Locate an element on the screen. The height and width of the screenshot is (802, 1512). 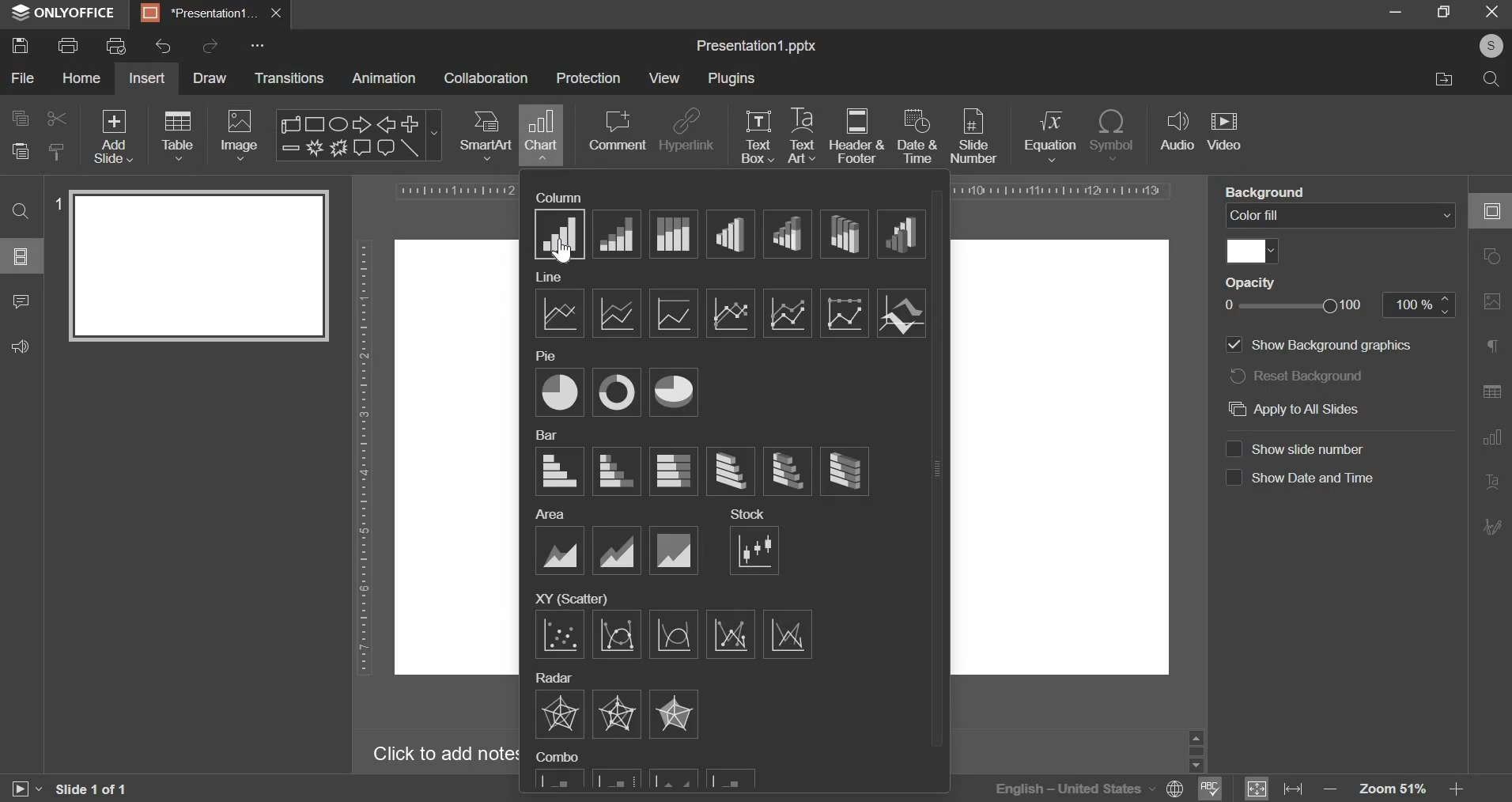
home is located at coordinates (80, 78).